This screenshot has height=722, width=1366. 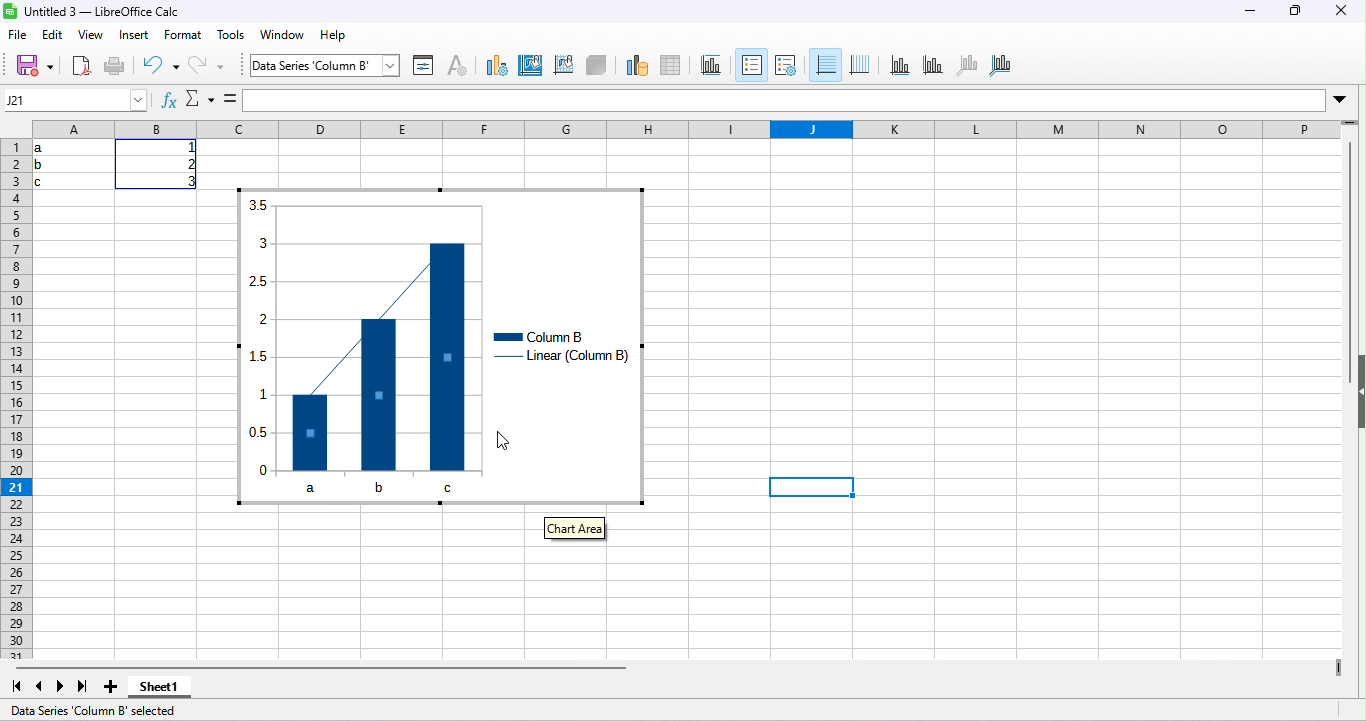 I want to click on all axes, so click(x=1004, y=67).